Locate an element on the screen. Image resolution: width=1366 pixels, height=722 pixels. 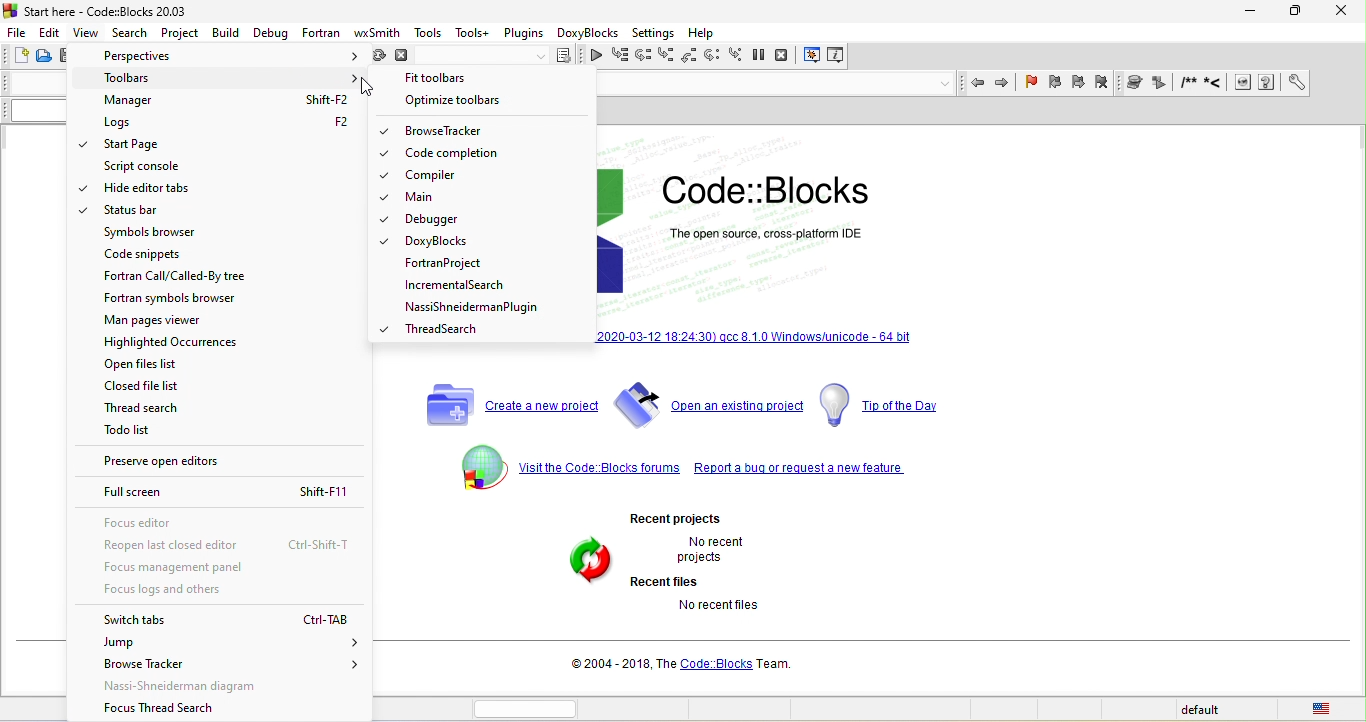
default is located at coordinates (1201, 711).